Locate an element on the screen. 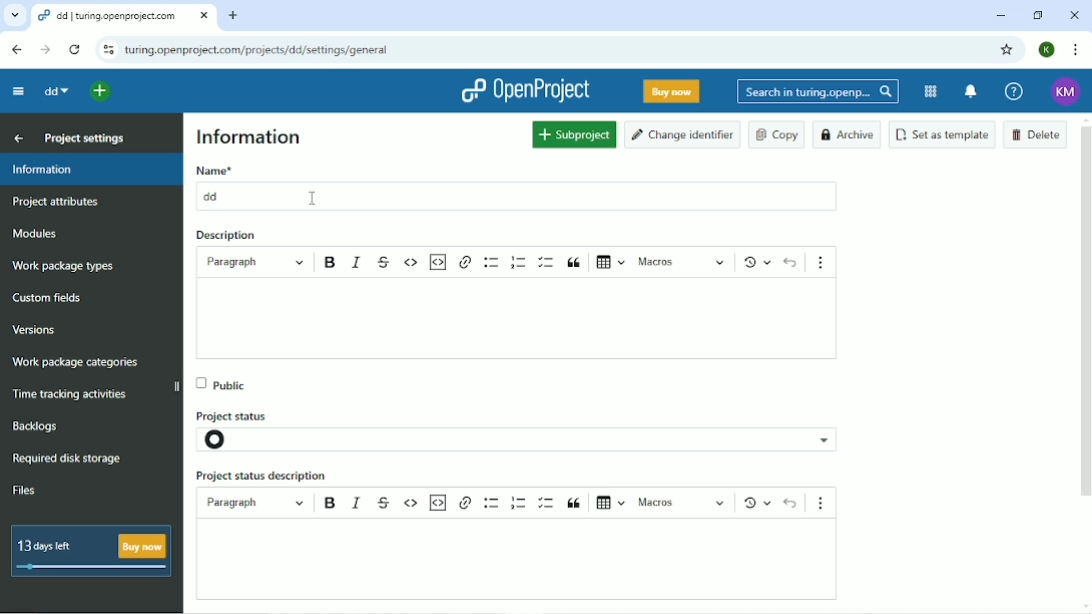  Buy now is located at coordinates (672, 92).